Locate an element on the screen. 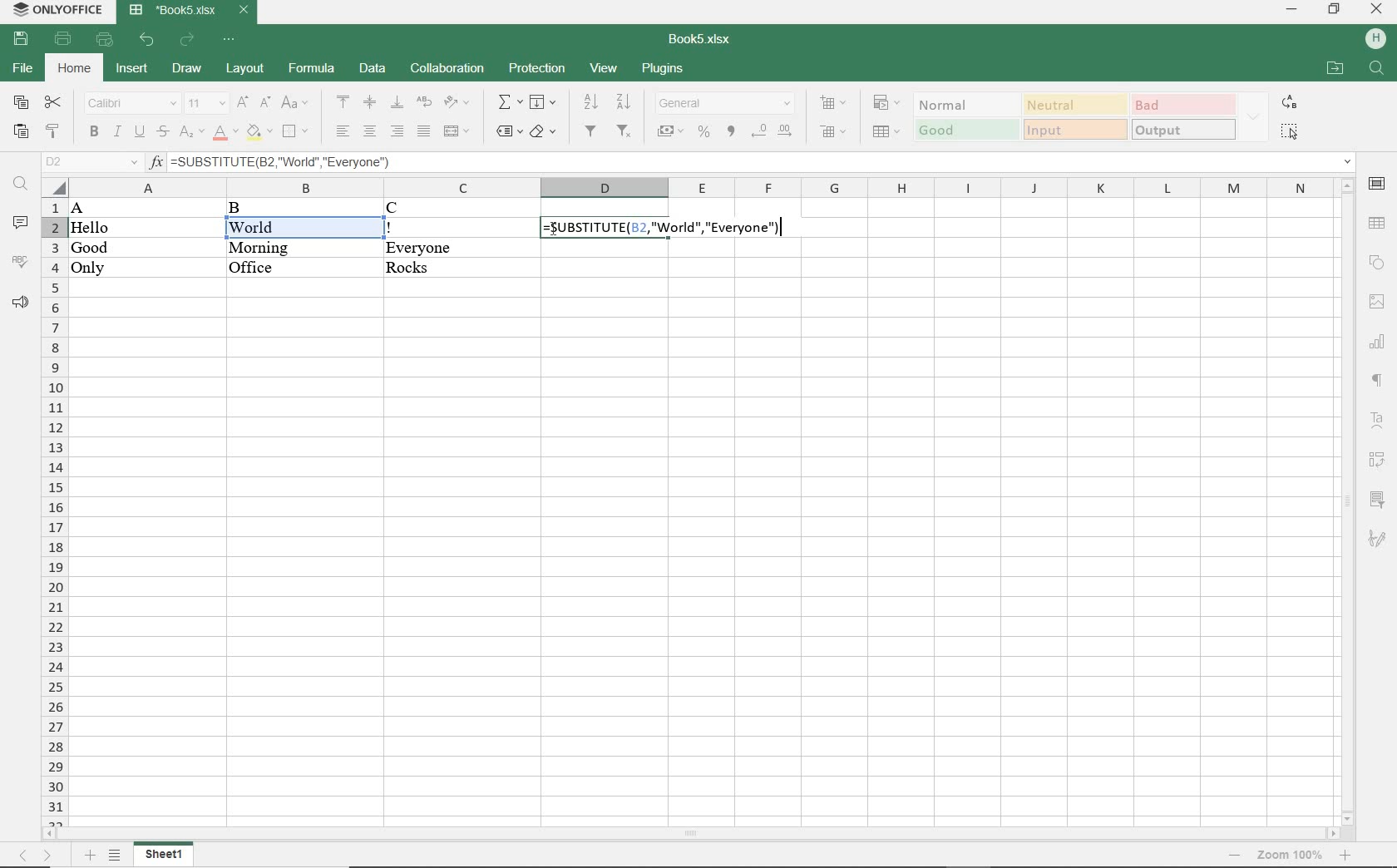 This screenshot has width=1397, height=868. columns is located at coordinates (697, 188).